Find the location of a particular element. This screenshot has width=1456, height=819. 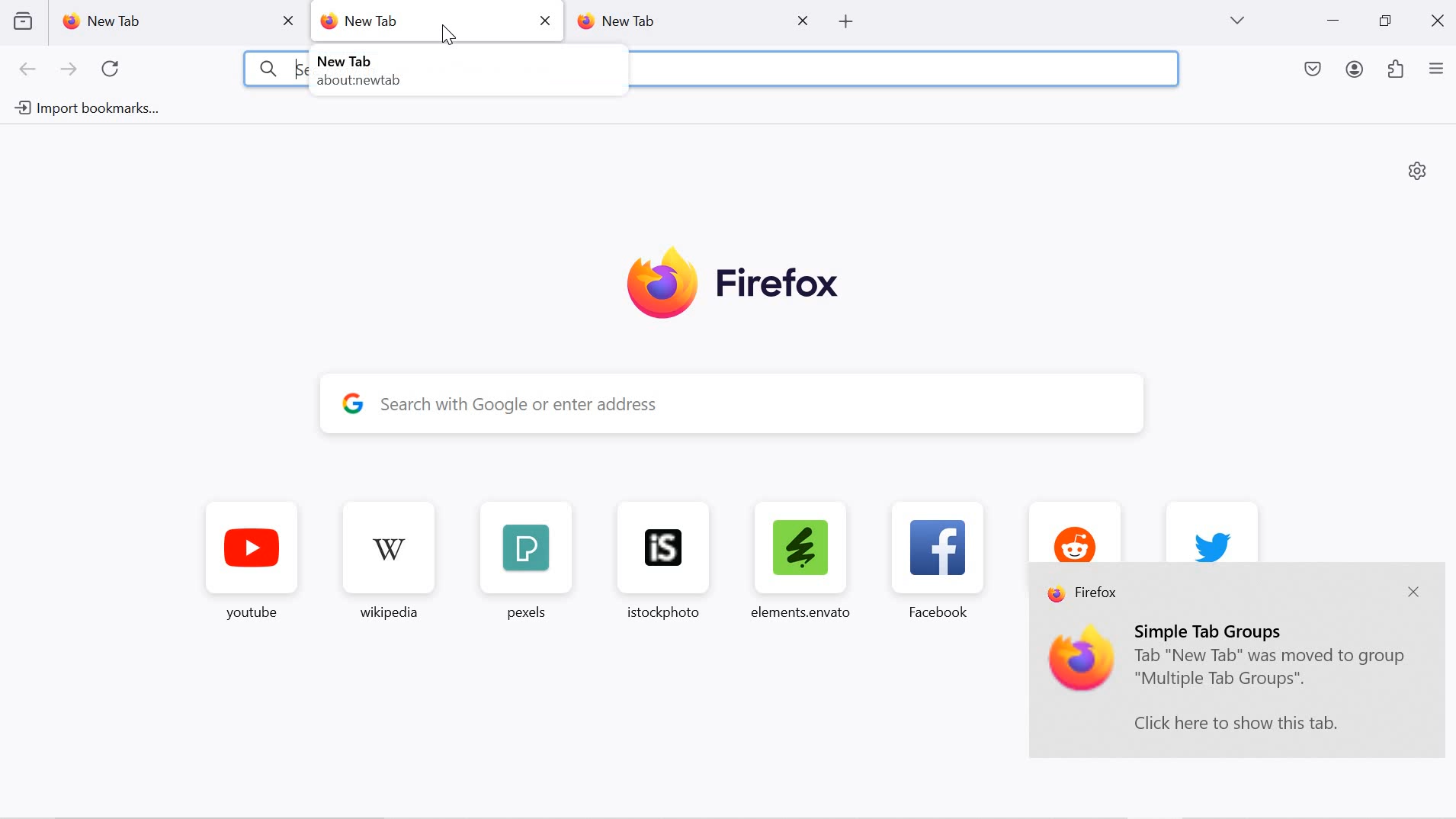

personalize new tab is located at coordinates (1418, 170).